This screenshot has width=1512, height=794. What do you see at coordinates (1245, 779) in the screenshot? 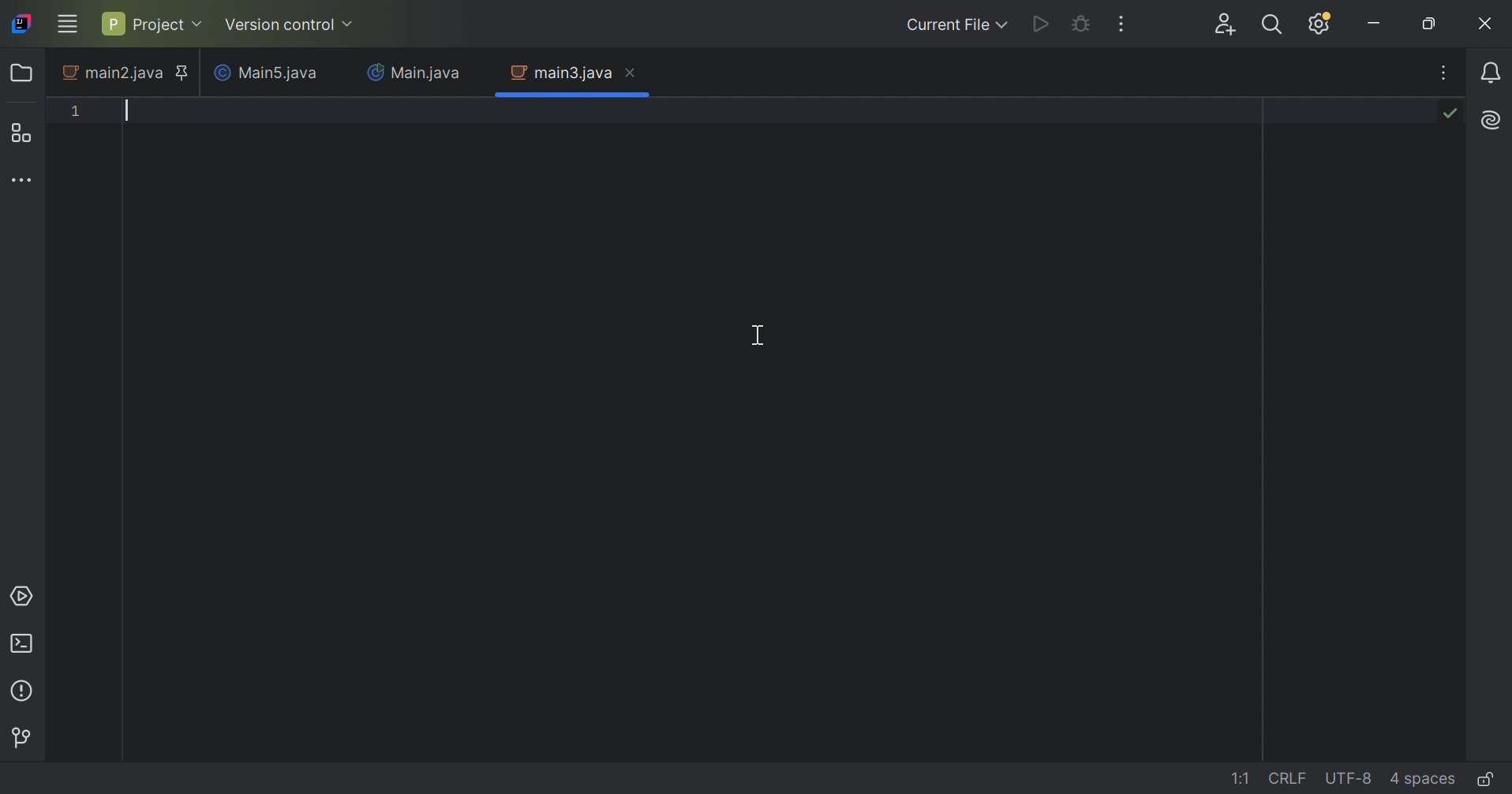
I see `go to line` at bounding box center [1245, 779].